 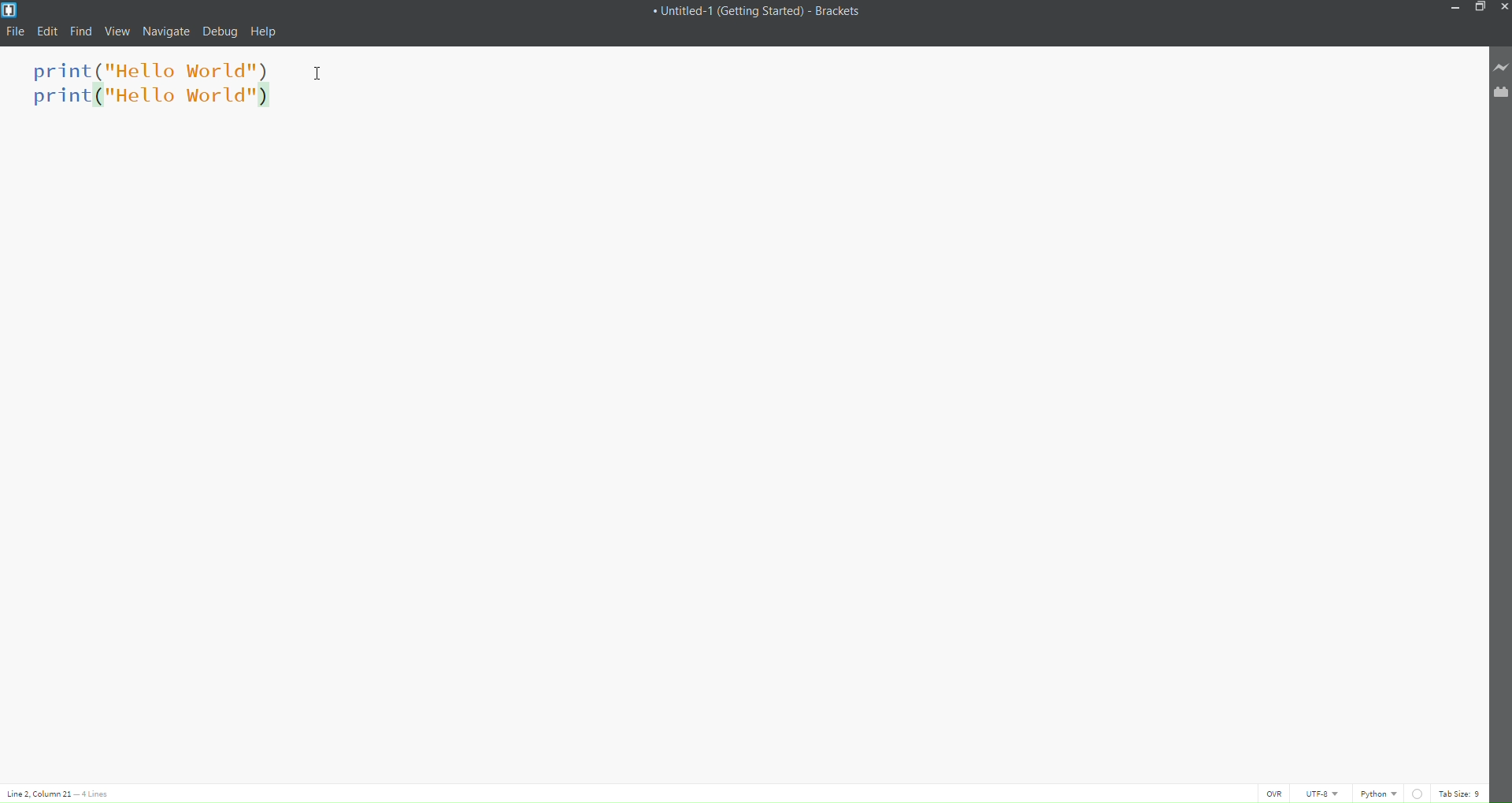 What do you see at coordinates (1455, 9) in the screenshot?
I see `minimize` at bounding box center [1455, 9].